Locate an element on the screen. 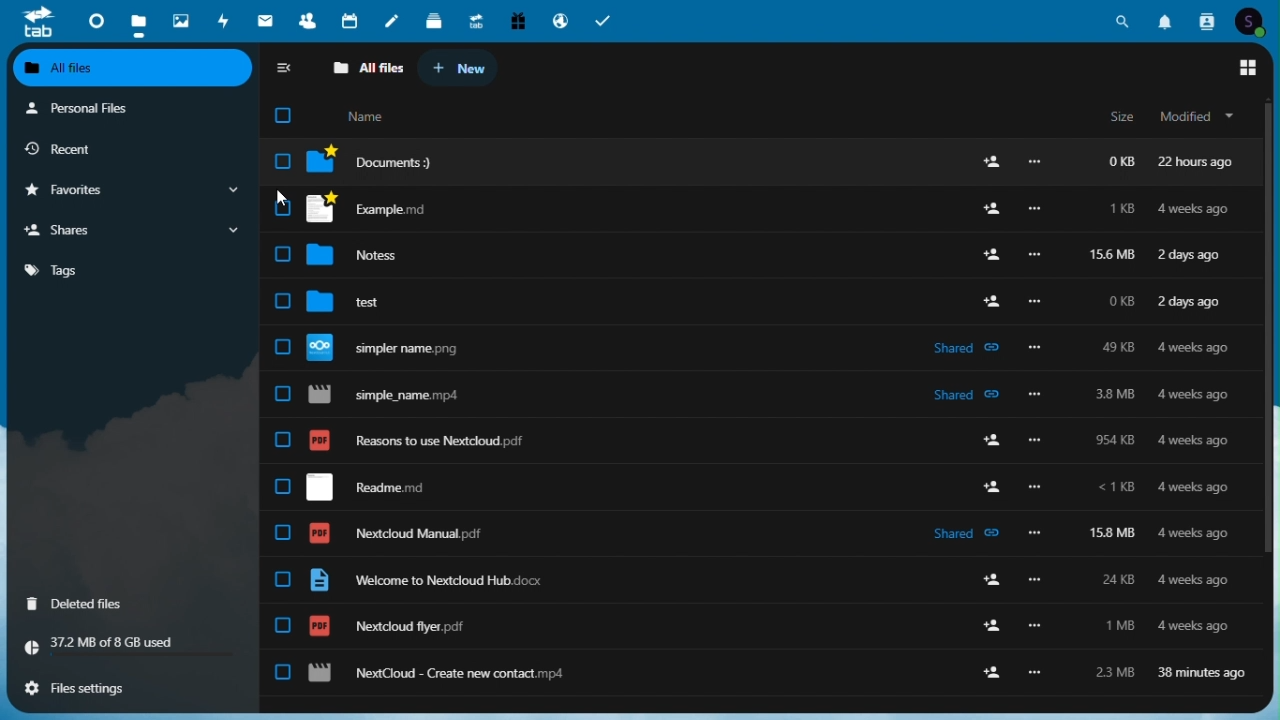 This screenshot has height=720, width=1280. files is located at coordinates (138, 21).